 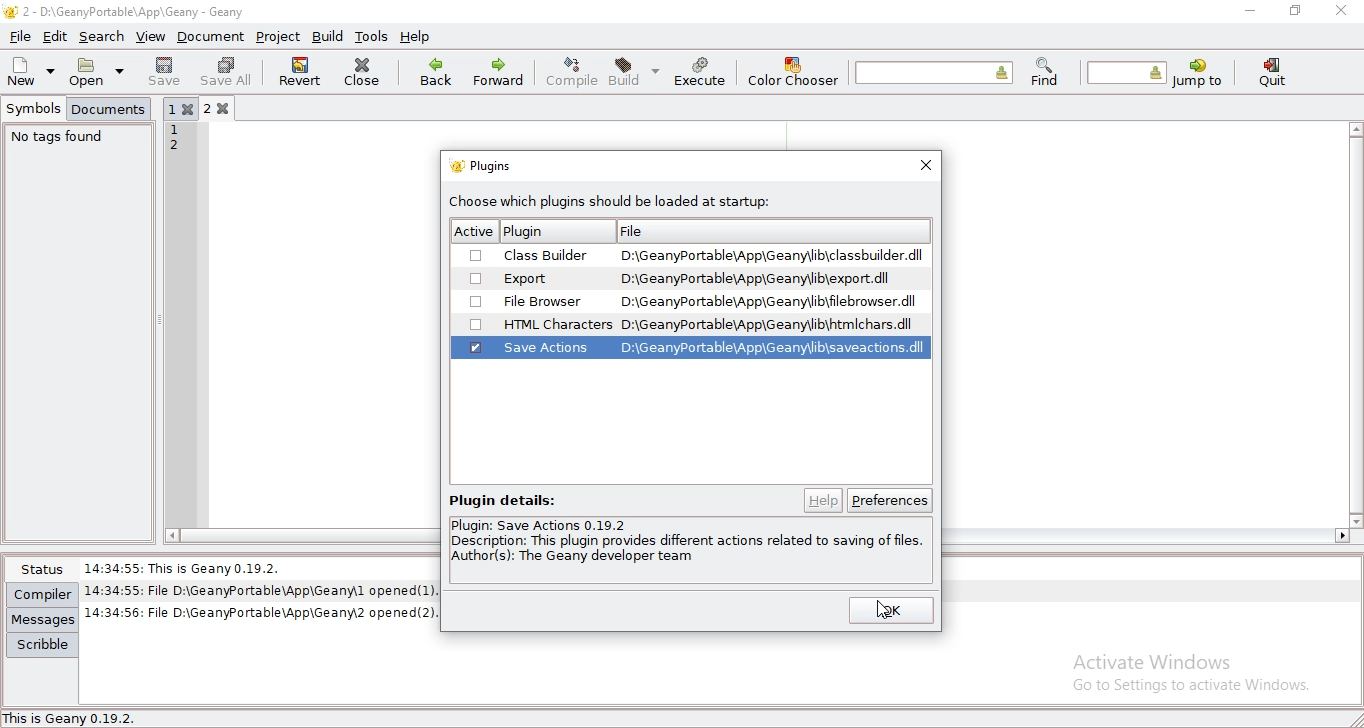 I want to click on search, so click(x=103, y=36).